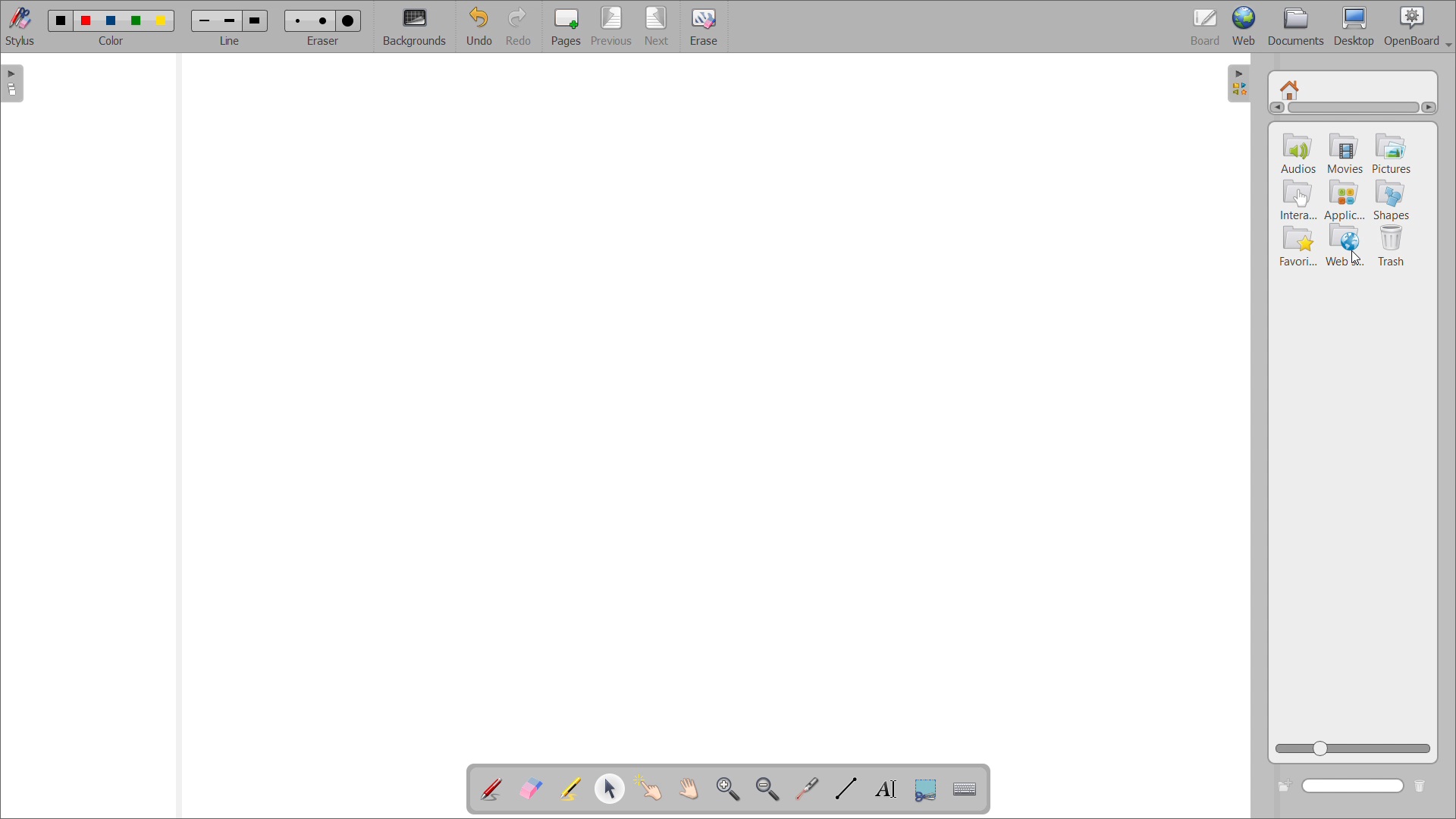 The height and width of the screenshot is (819, 1456). Describe the element at coordinates (649, 788) in the screenshot. I see `interact with items` at that location.